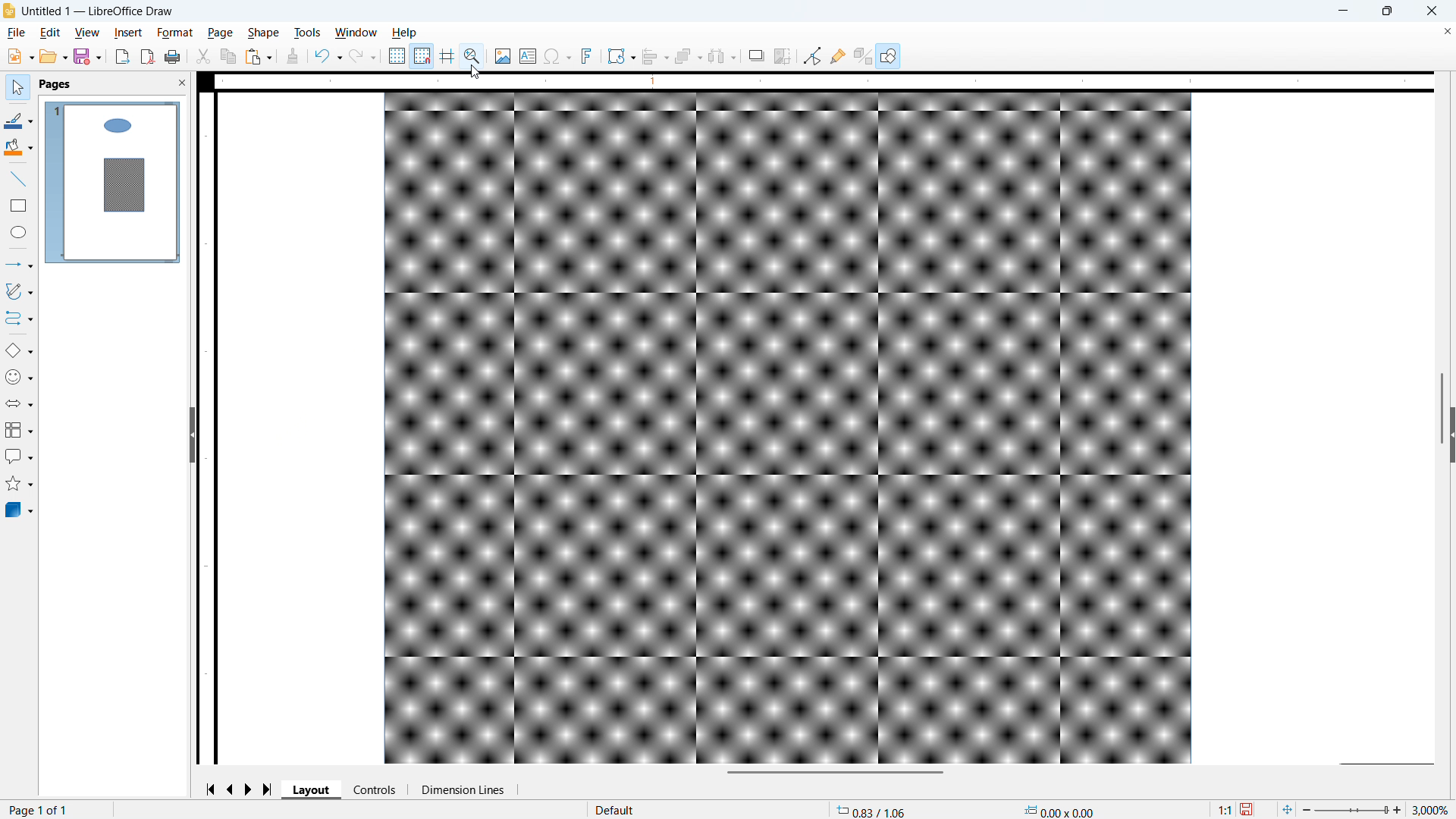 This screenshot has height=819, width=1456. Describe the element at coordinates (1224, 809) in the screenshot. I see `Scaling factor ` at that location.